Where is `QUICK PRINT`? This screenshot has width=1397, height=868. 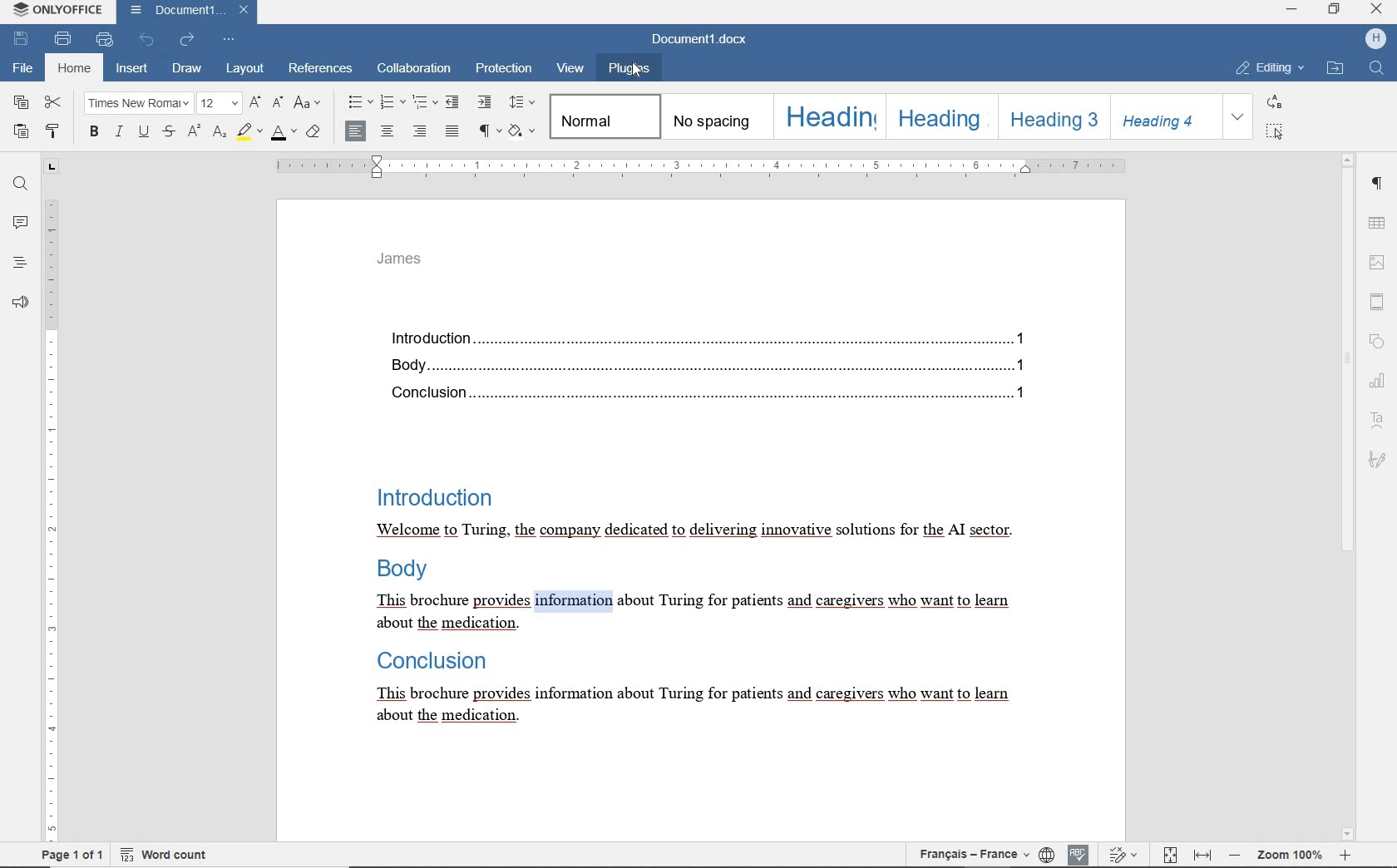 QUICK PRINT is located at coordinates (106, 40).